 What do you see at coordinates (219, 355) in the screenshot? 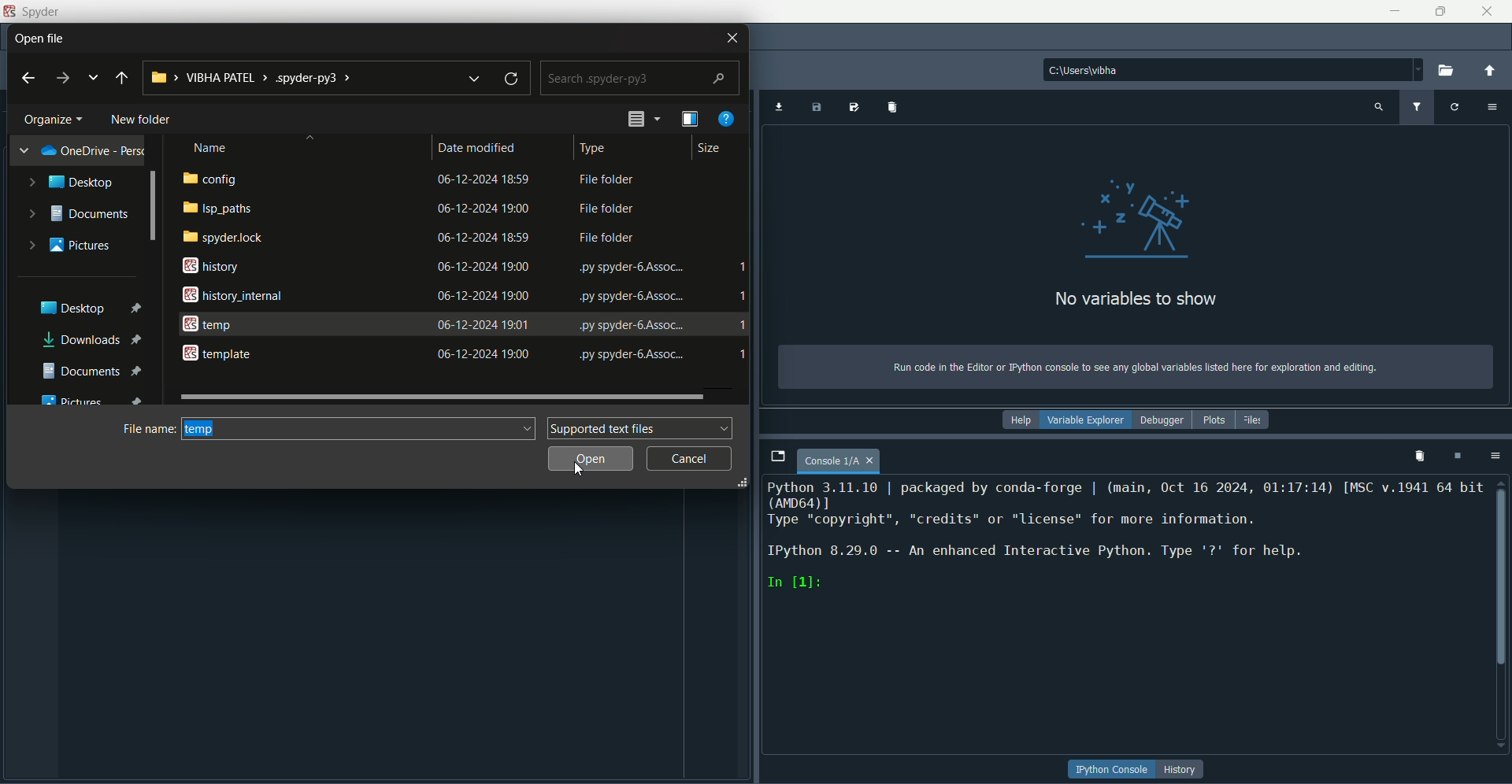
I see `template` at bounding box center [219, 355].